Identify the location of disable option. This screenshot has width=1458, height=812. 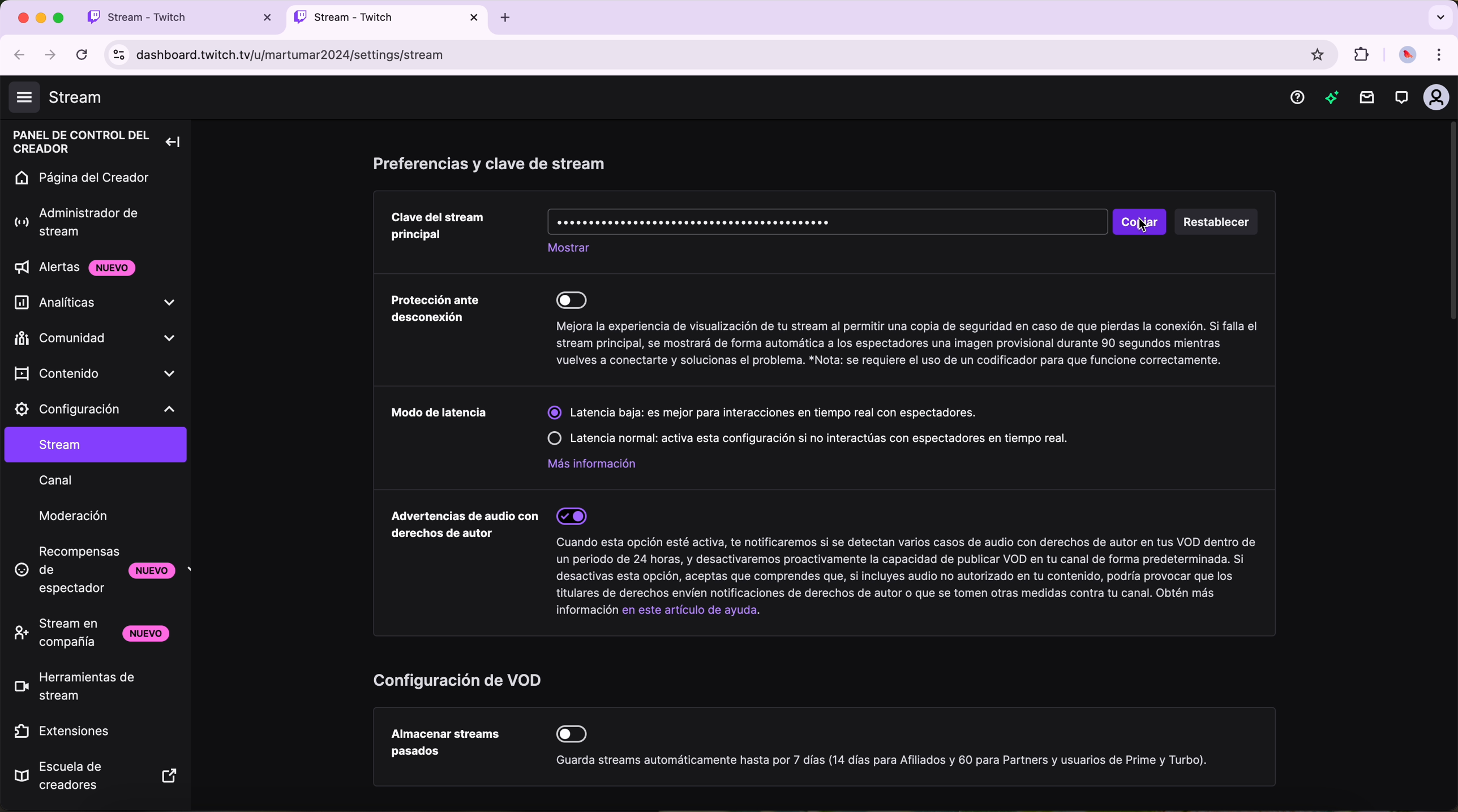
(571, 735).